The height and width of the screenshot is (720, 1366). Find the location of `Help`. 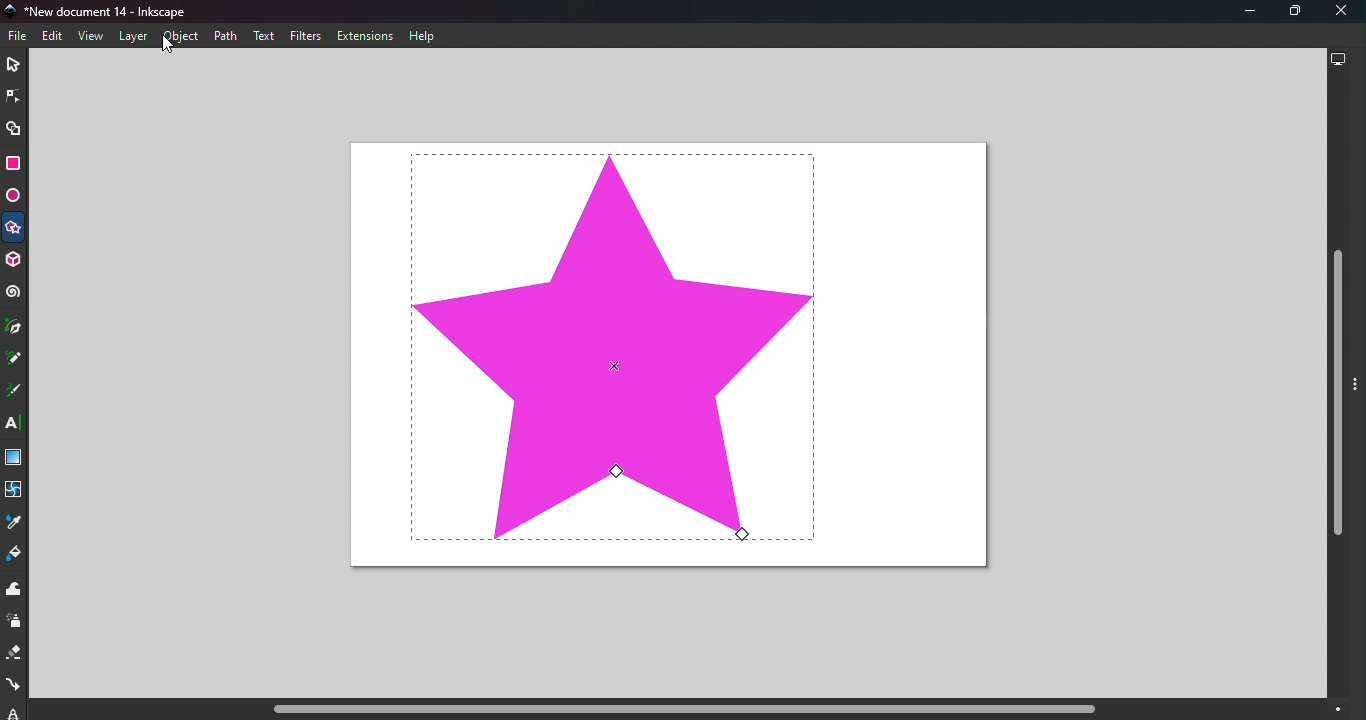

Help is located at coordinates (424, 37).